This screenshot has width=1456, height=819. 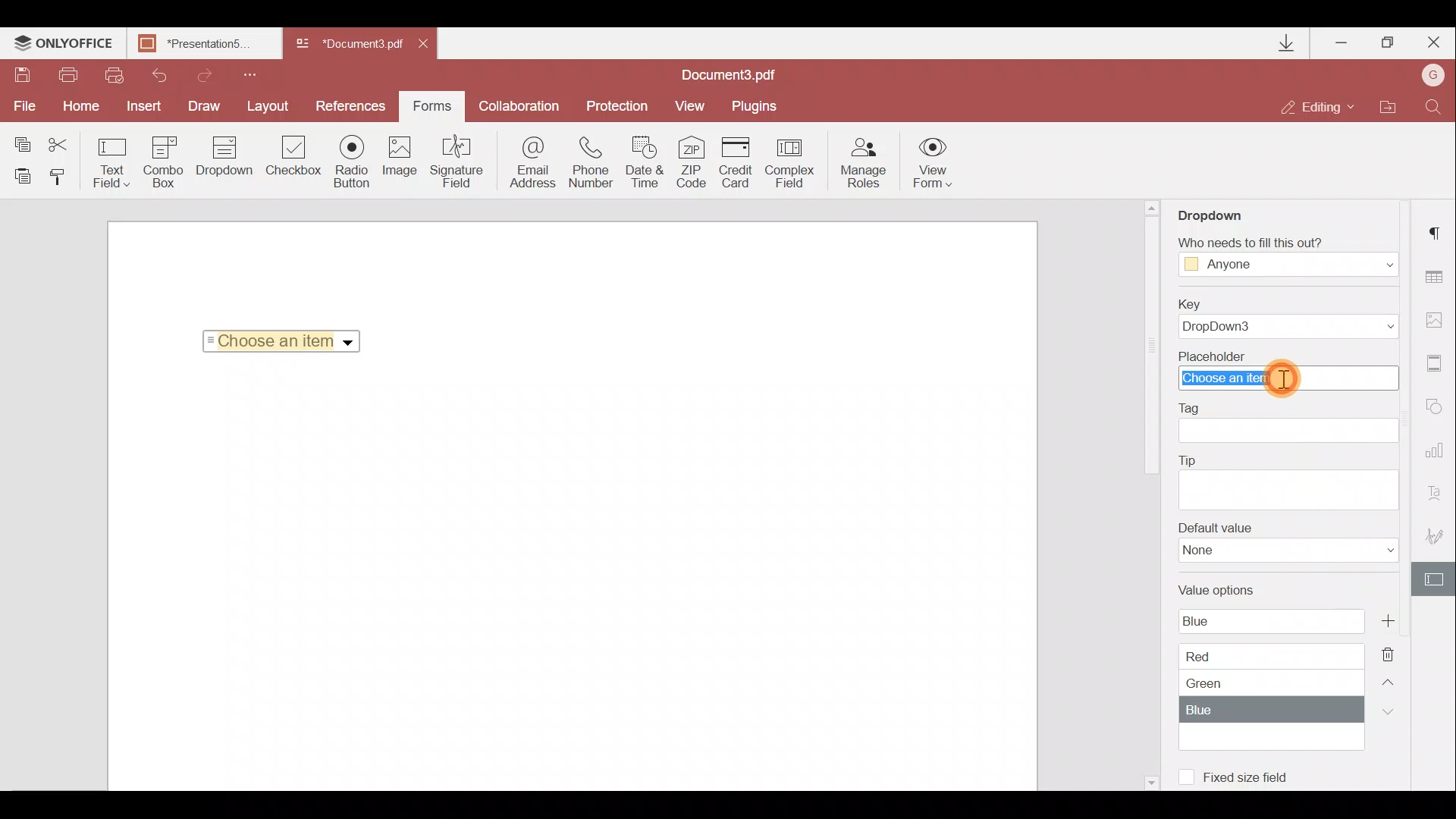 What do you see at coordinates (109, 162) in the screenshot?
I see `Text field` at bounding box center [109, 162].